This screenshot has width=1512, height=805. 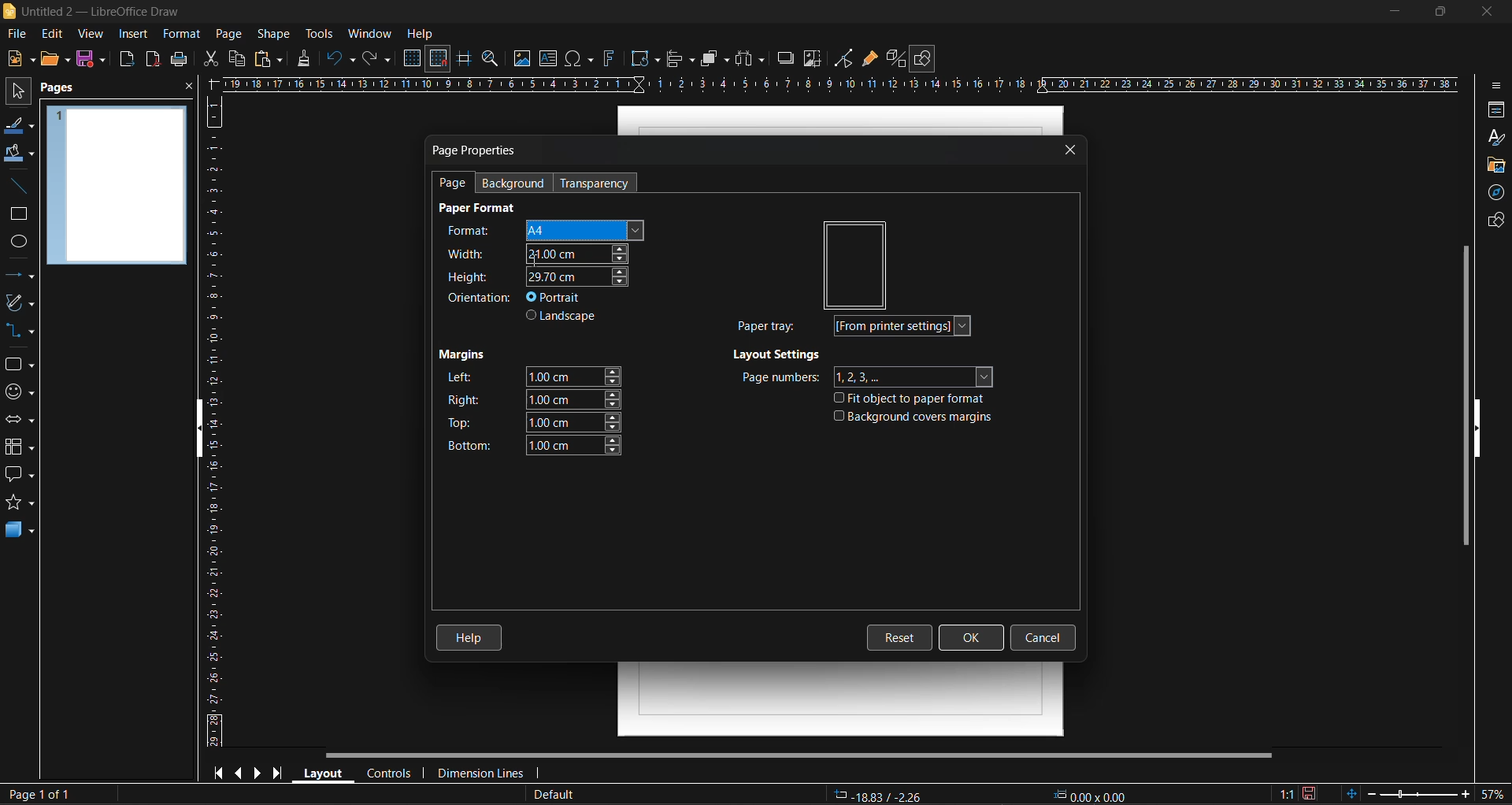 I want to click on basic shapes, so click(x=22, y=365).